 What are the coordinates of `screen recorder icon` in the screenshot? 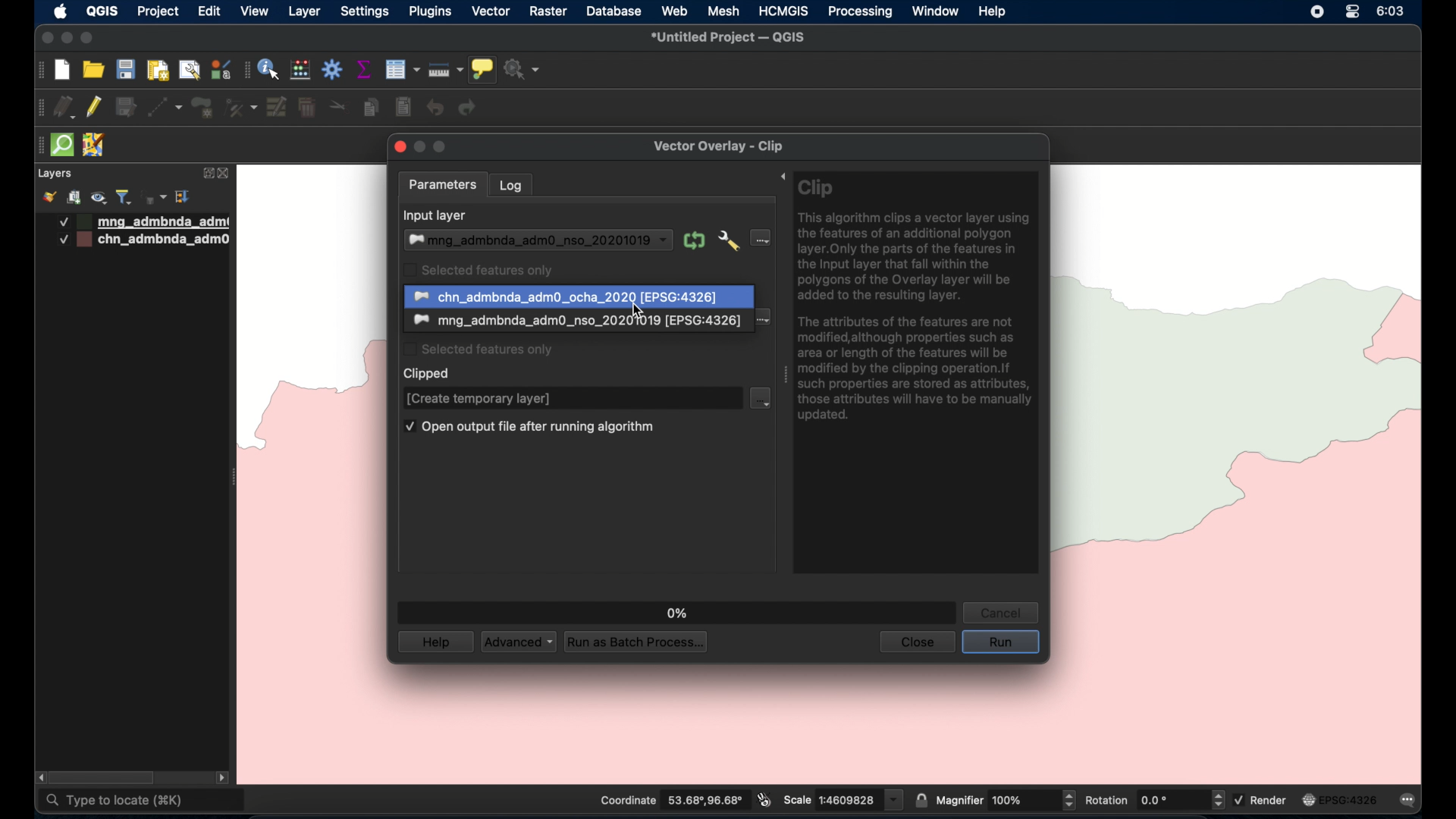 It's located at (1316, 11).